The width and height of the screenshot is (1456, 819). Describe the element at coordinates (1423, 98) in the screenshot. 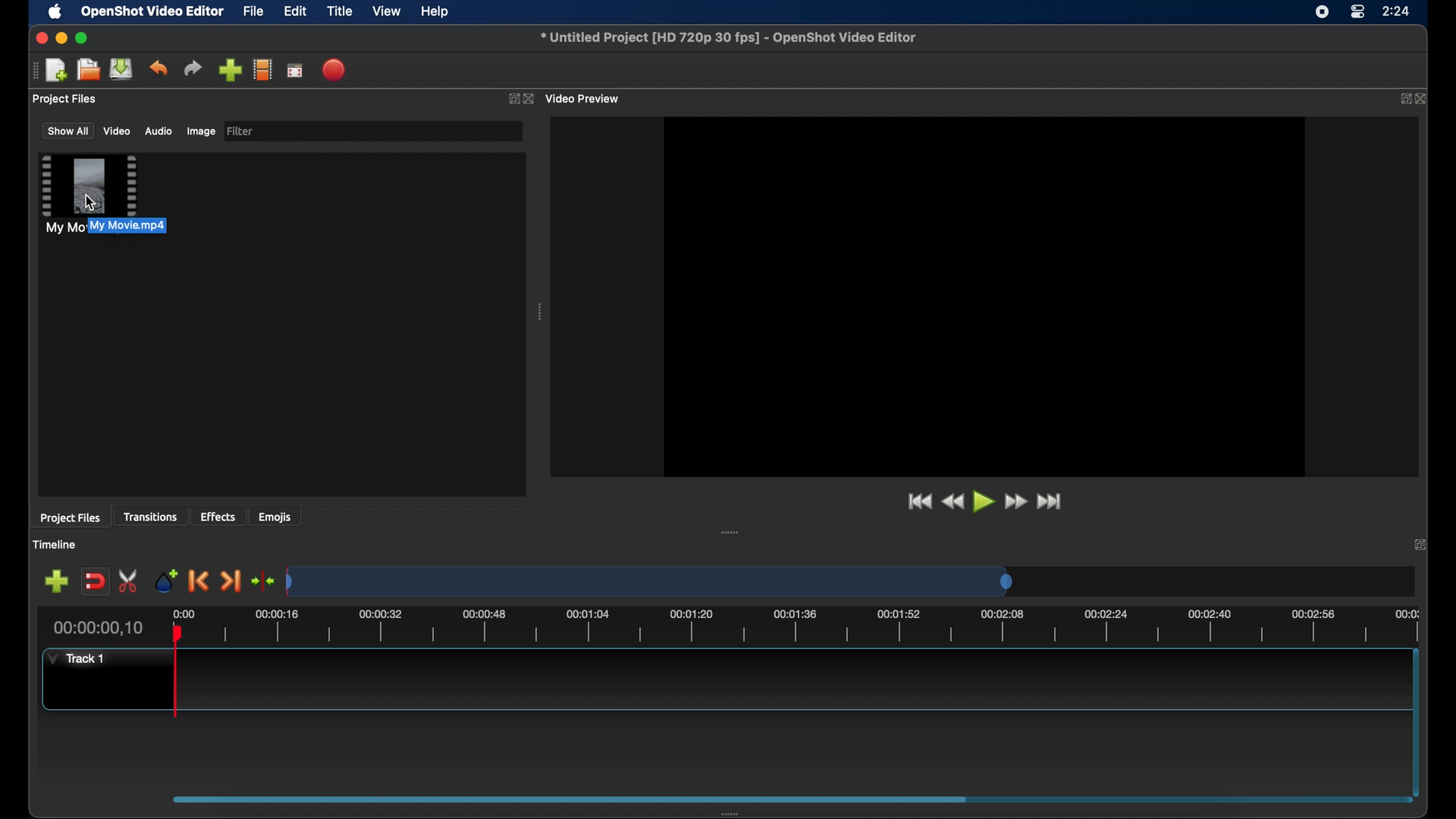

I see `close` at that location.